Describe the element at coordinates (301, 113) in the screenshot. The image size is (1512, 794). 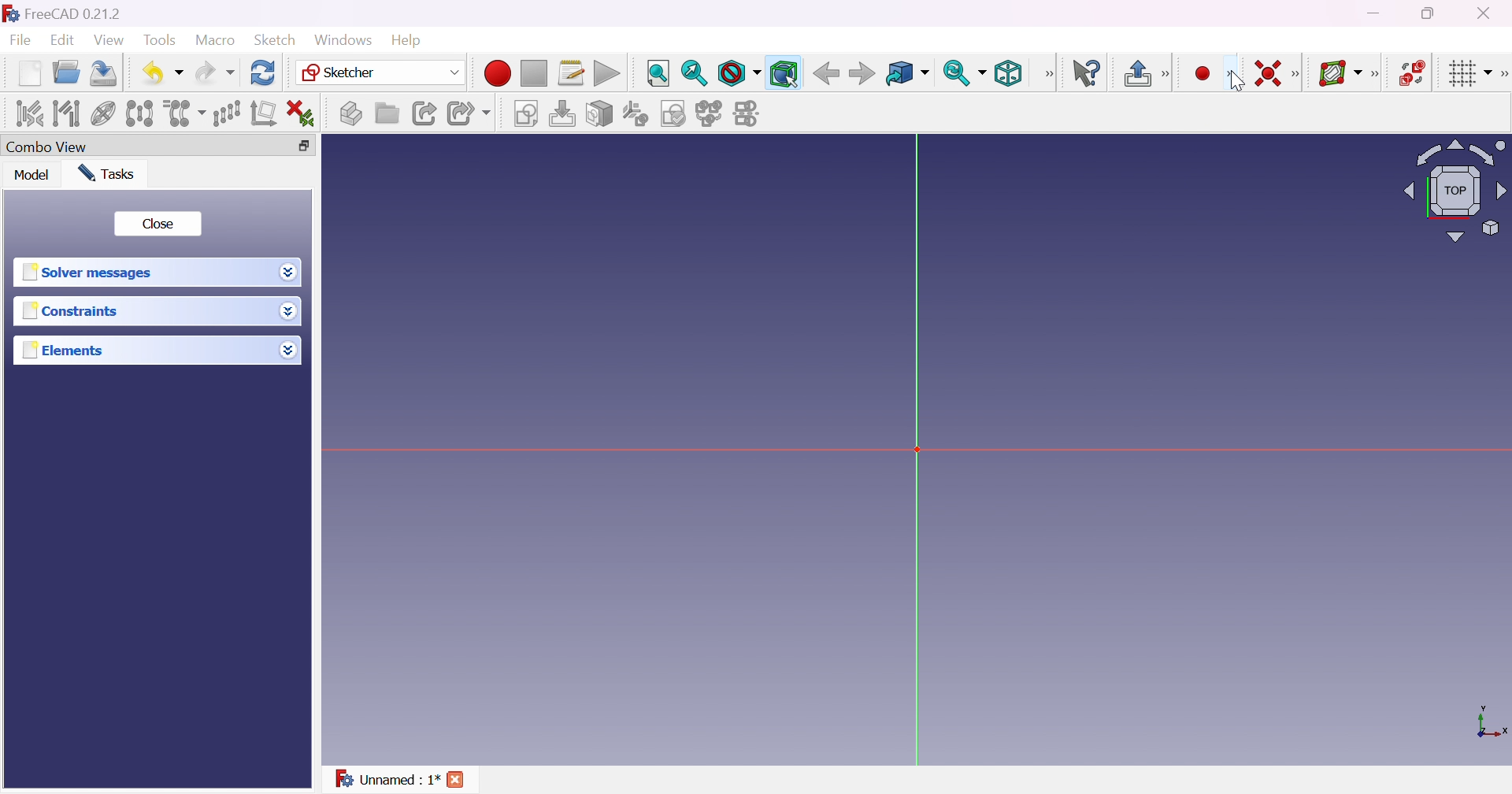
I see `Delete all constraints` at that location.